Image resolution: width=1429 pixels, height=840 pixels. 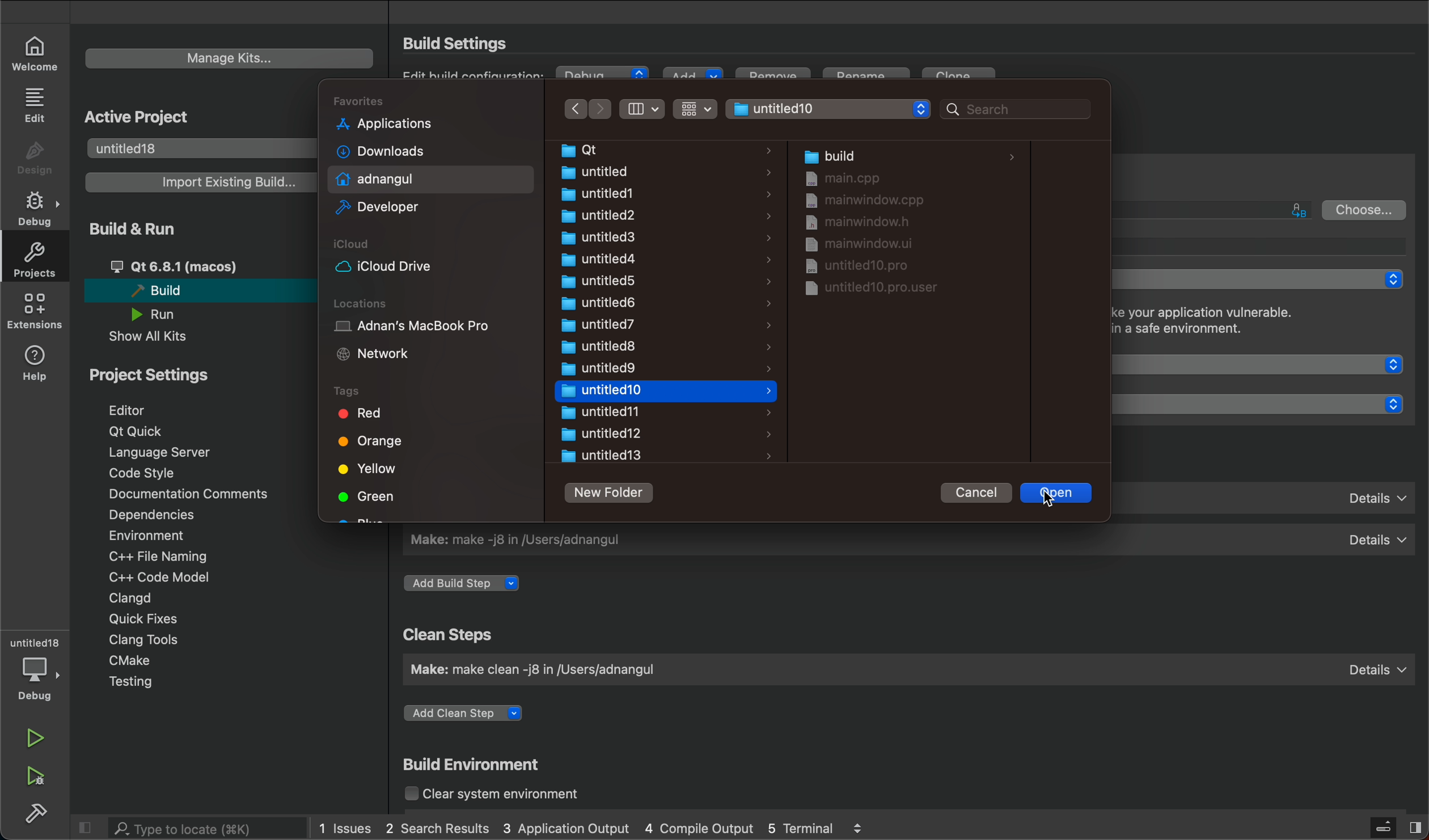 I want to click on iCloud, so click(x=353, y=243).